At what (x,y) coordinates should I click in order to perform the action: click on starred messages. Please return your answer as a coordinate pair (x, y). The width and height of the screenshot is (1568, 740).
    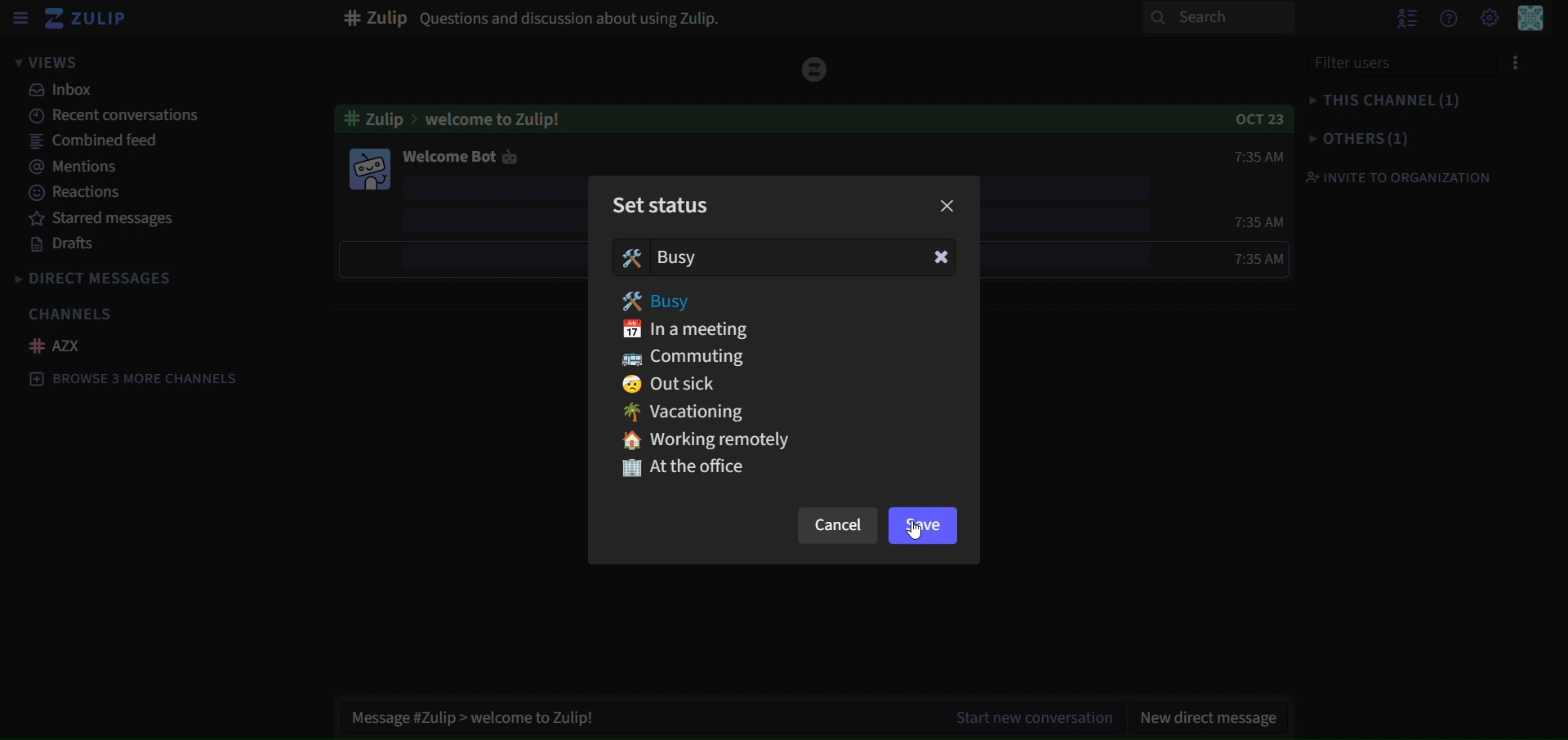
    Looking at the image, I should click on (141, 221).